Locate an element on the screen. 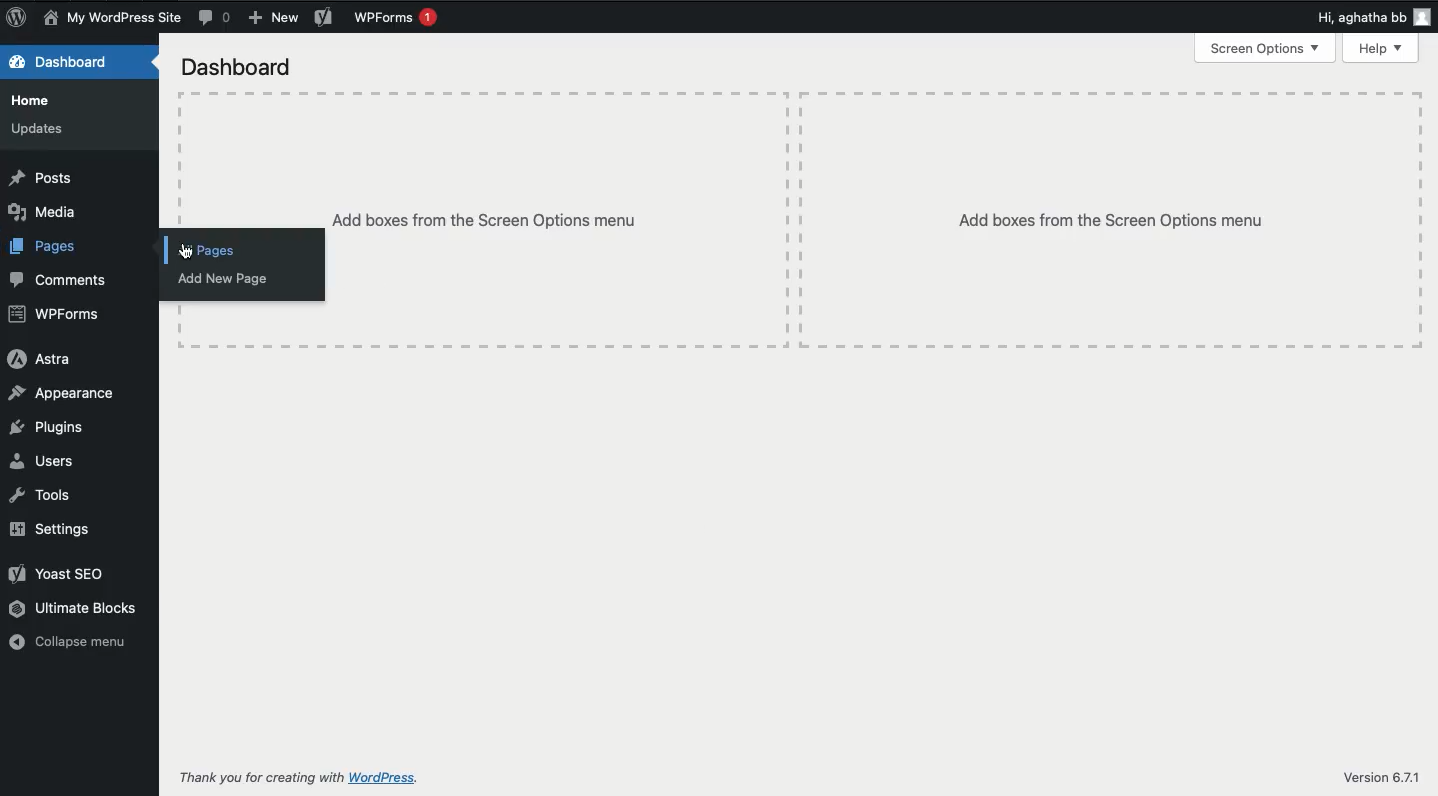  Name is located at coordinates (110, 17).